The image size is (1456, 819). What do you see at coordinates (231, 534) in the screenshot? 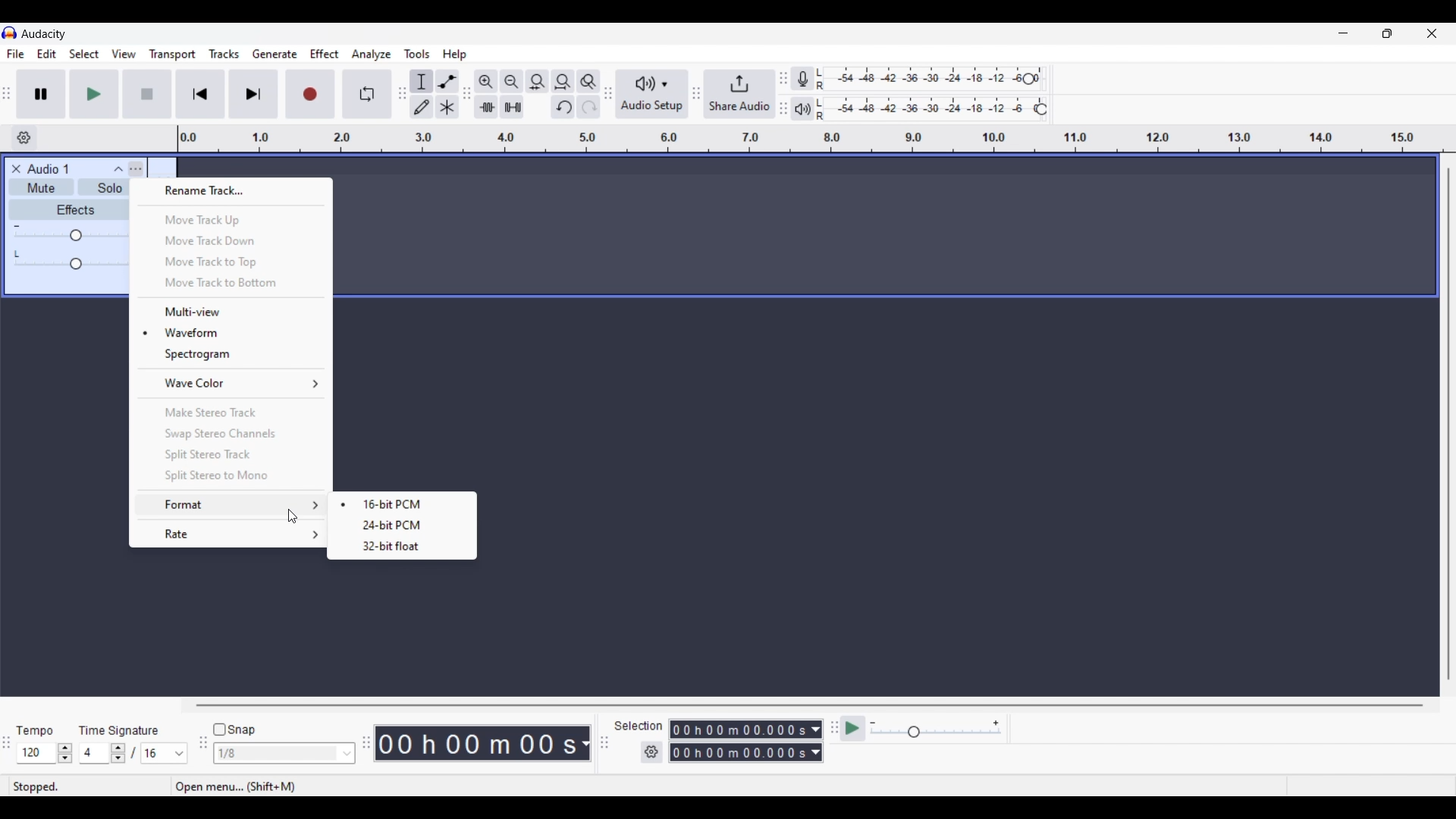
I see `Rate options` at bounding box center [231, 534].